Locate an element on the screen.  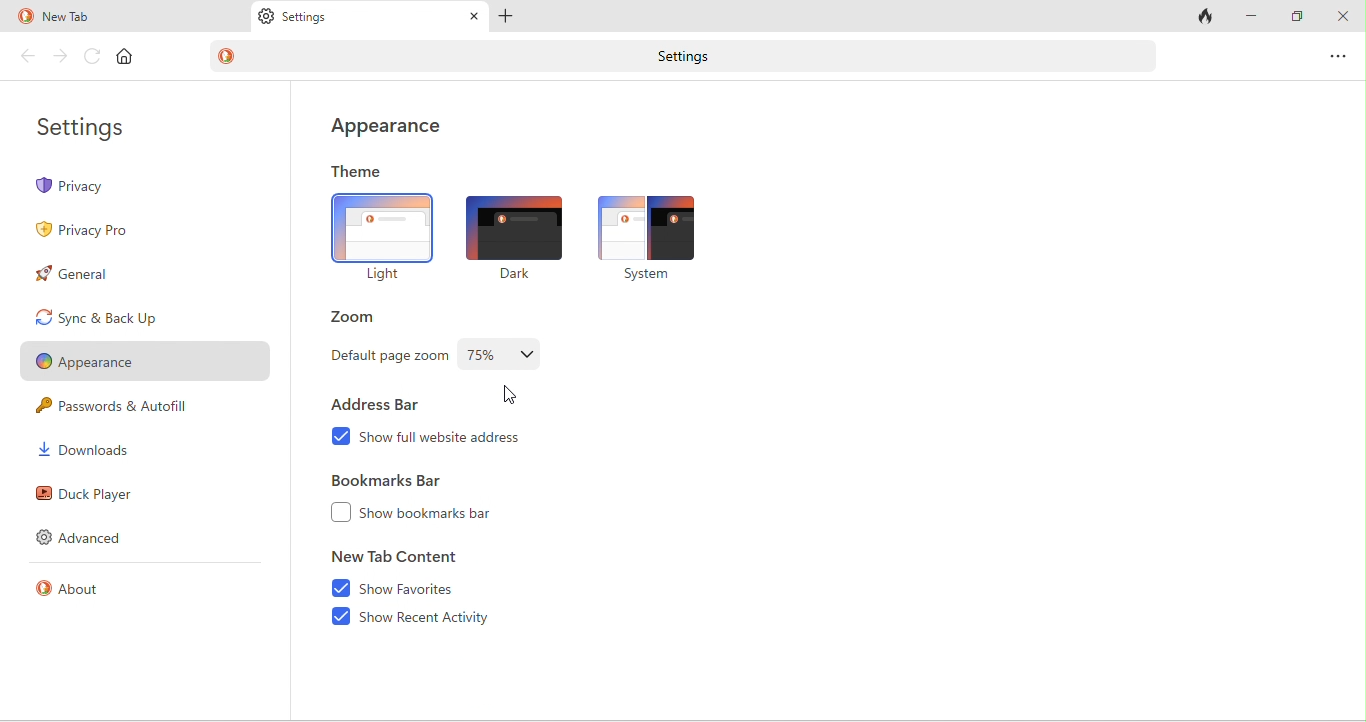
show recent activity is located at coordinates (415, 617).